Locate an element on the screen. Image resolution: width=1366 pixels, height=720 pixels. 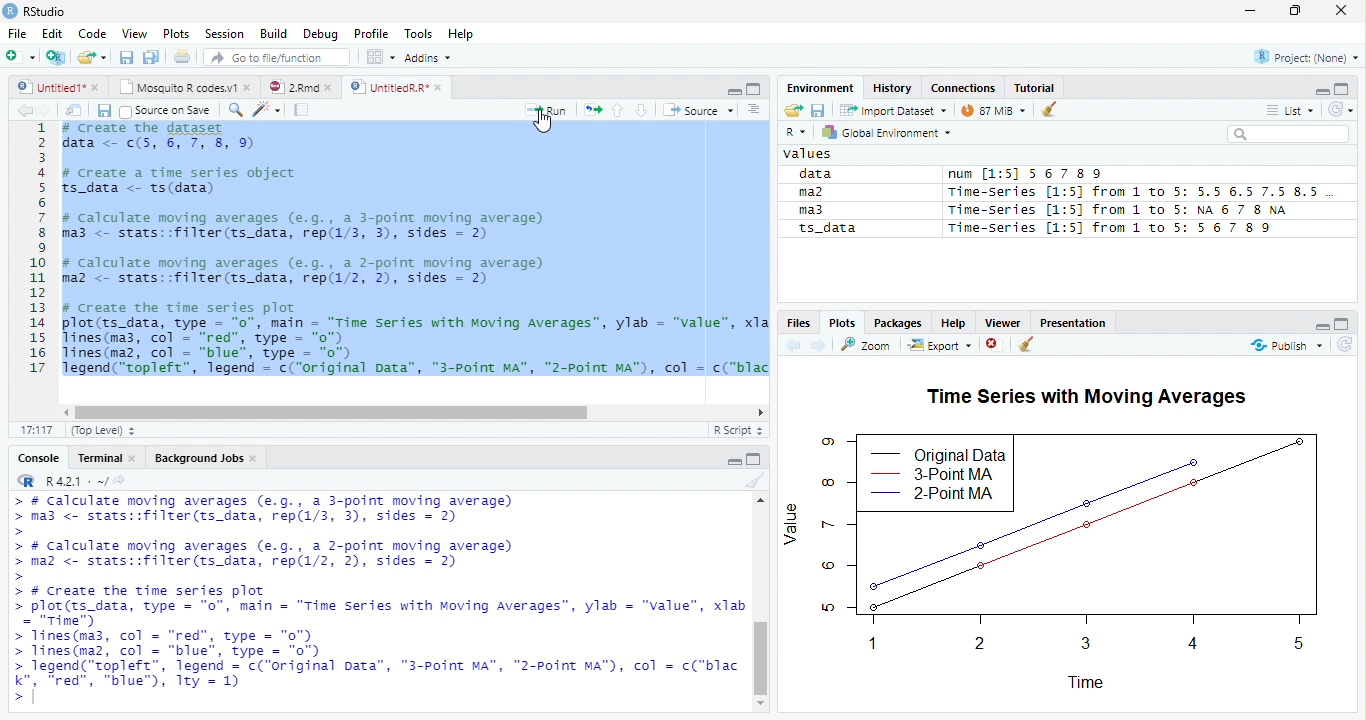
‘Environment is located at coordinates (819, 88).